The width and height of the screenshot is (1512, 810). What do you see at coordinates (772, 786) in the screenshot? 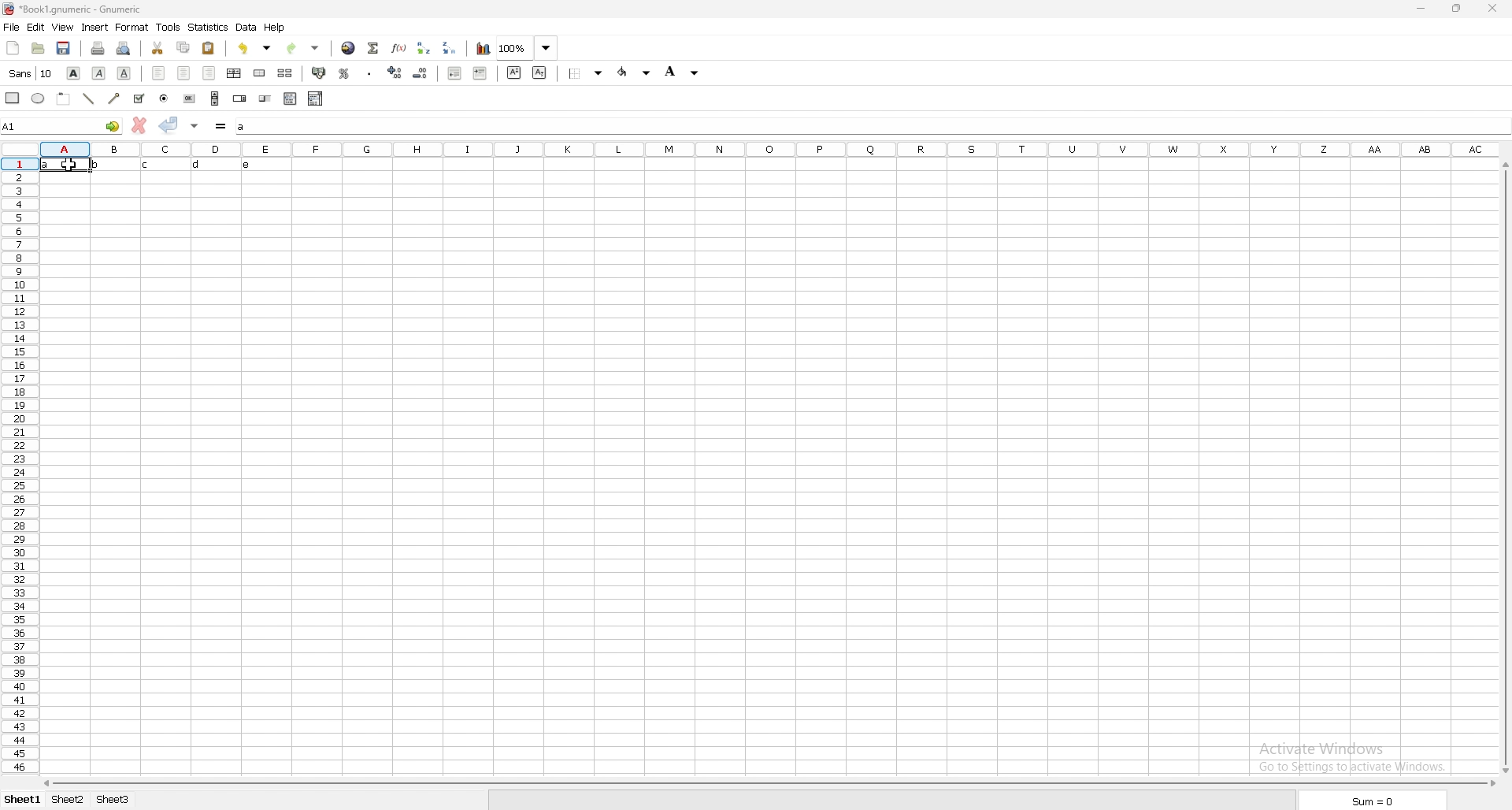
I see `scroll bar` at bounding box center [772, 786].